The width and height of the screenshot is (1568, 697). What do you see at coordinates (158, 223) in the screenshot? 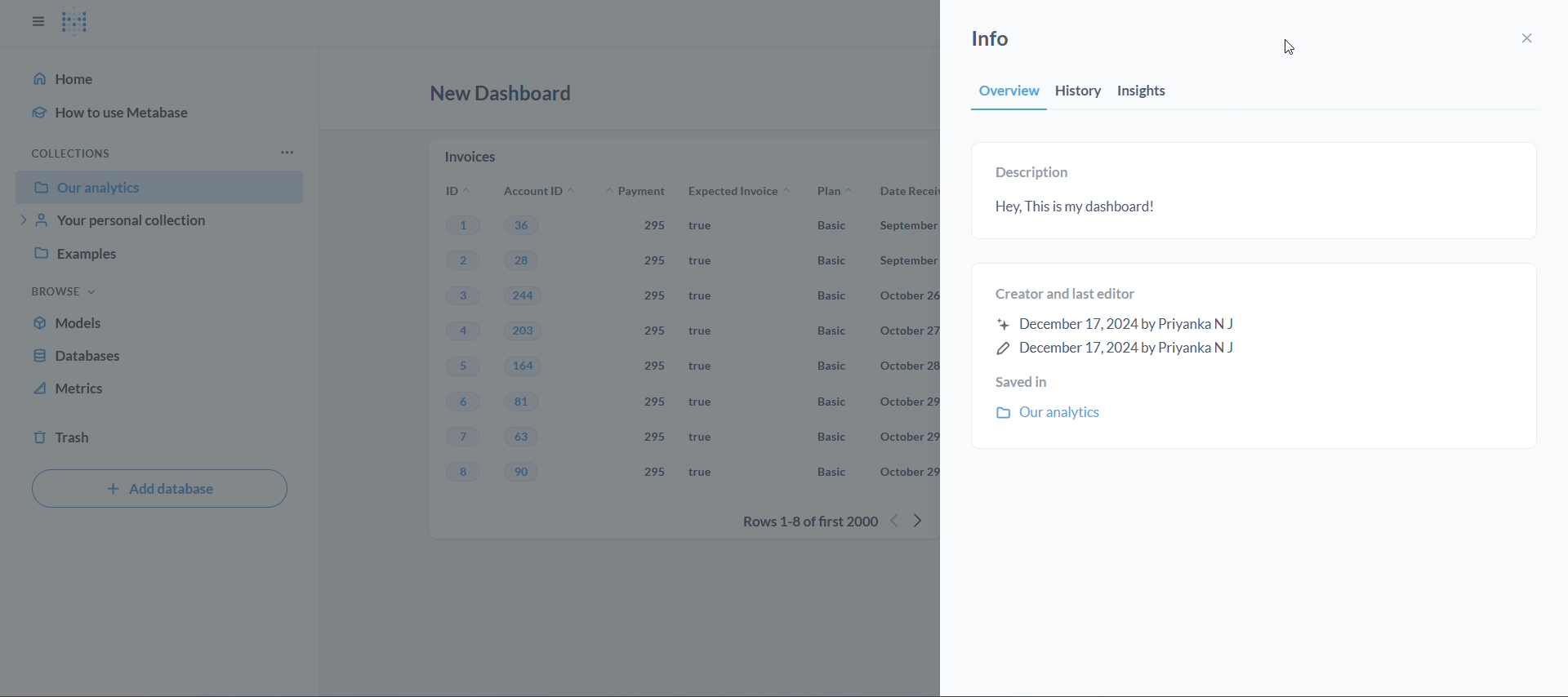
I see `your personal collection` at bounding box center [158, 223].